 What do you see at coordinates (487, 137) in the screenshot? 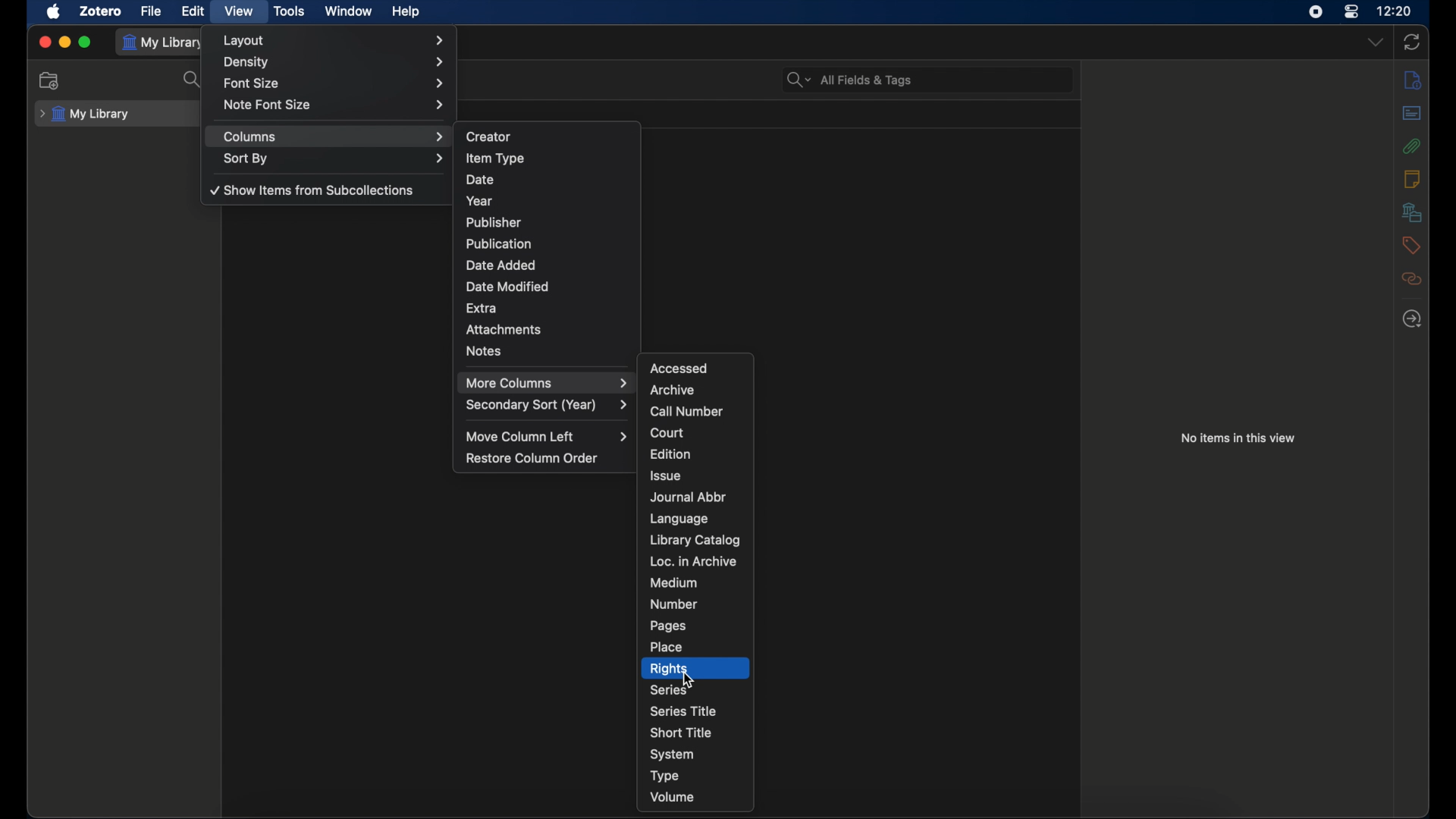
I see `creator` at bounding box center [487, 137].